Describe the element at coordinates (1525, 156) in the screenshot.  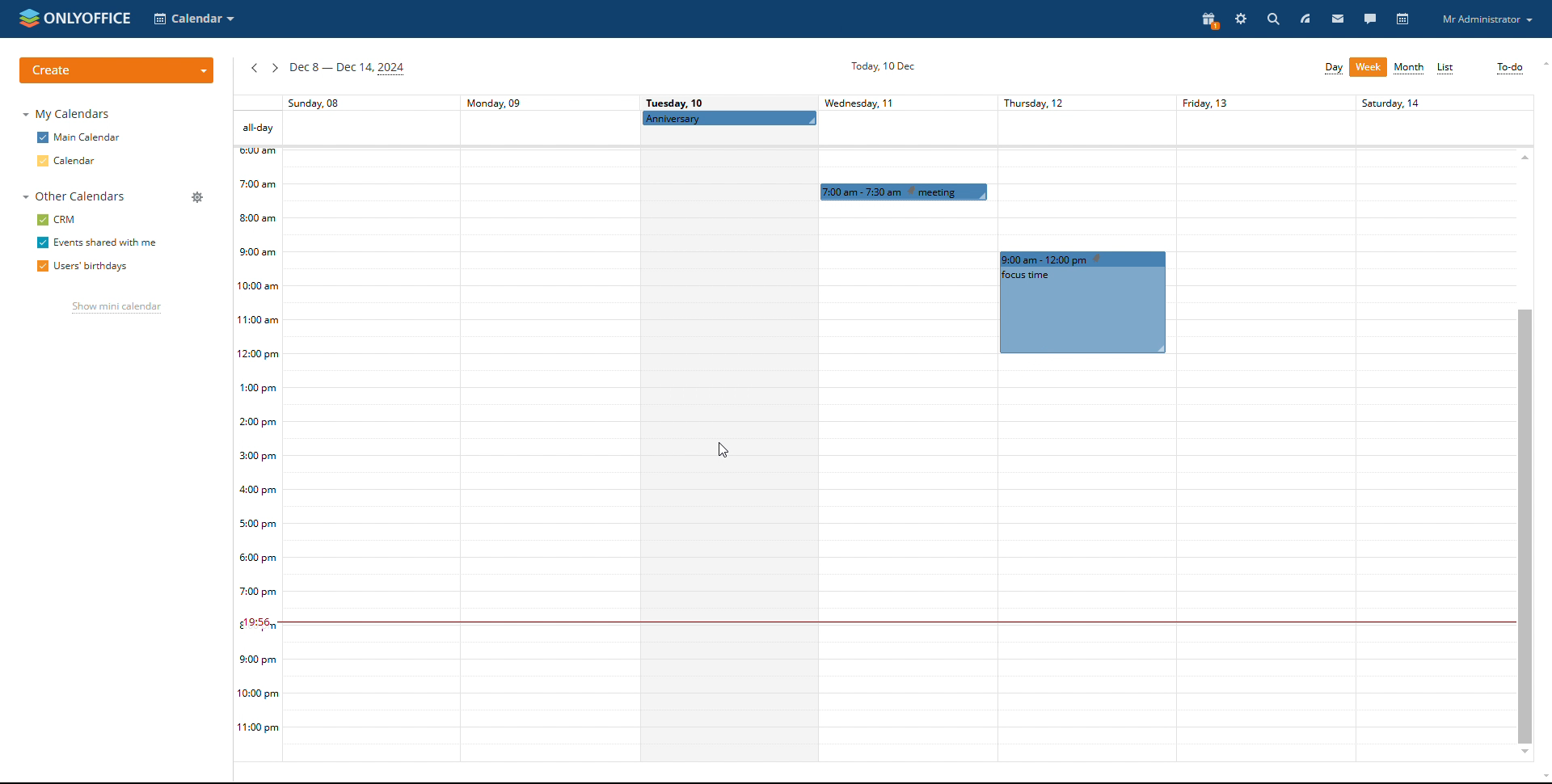
I see `scroll up` at that location.